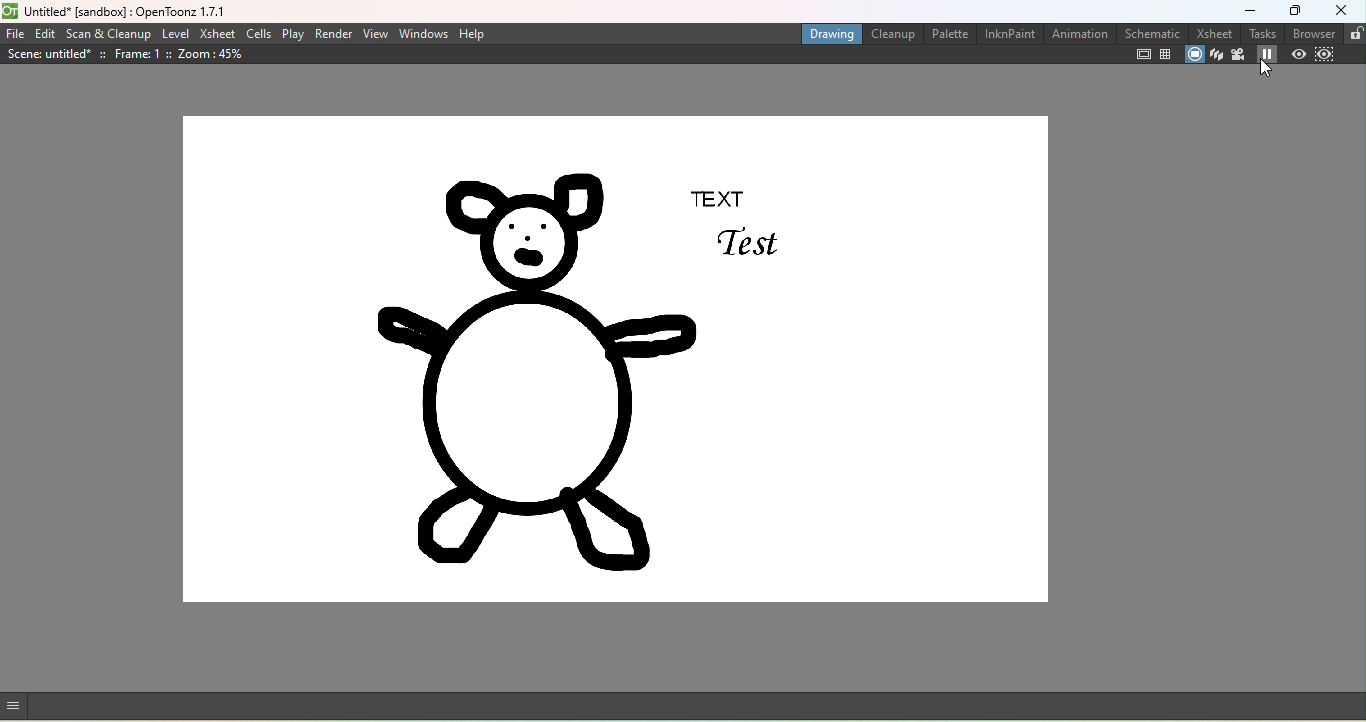 The height and width of the screenshot is (722, 1366). Describe the element at coordinates (1080, 34) in the screenshot. I see `Animation` at that location.